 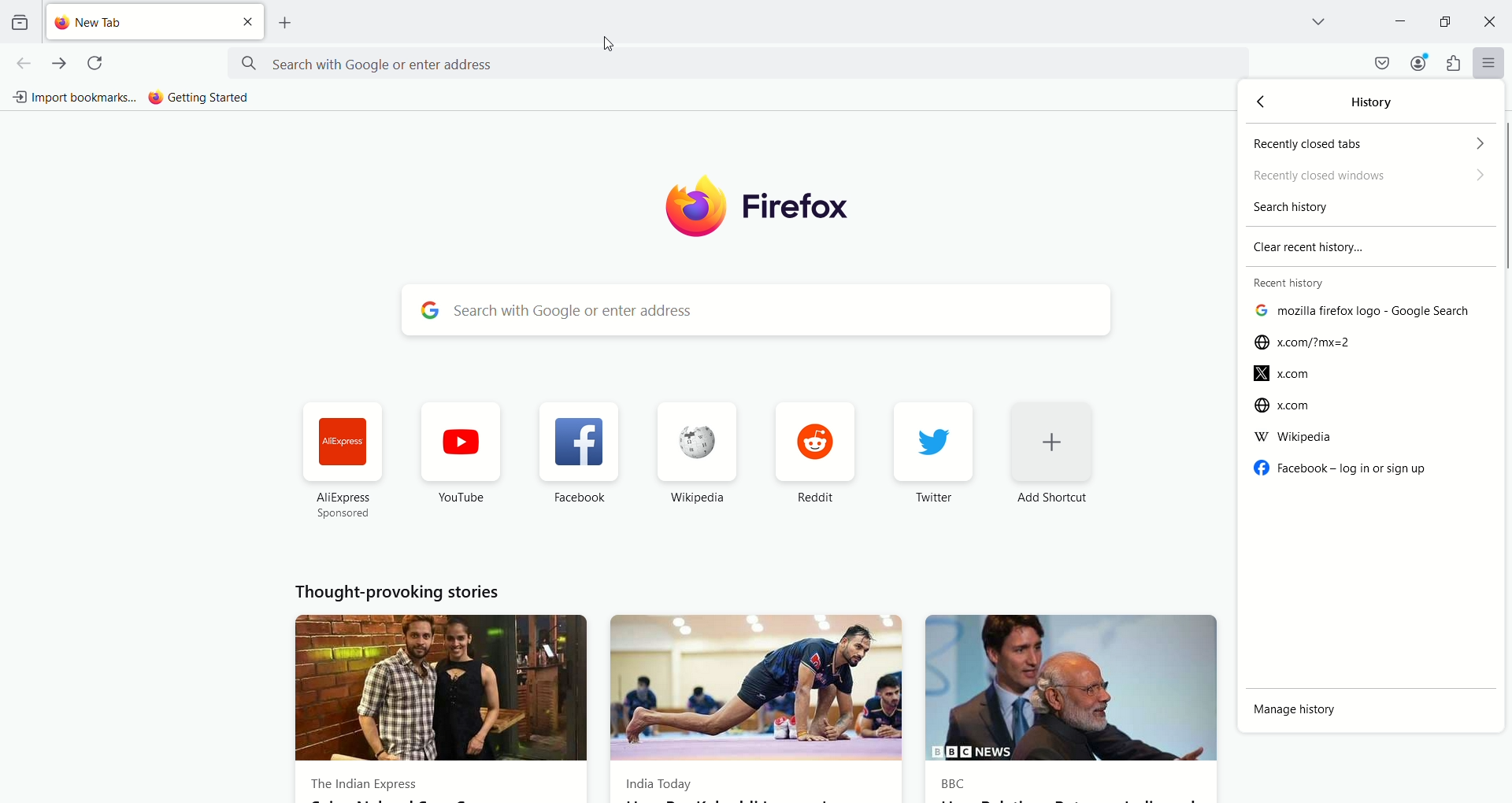 I want to click on manage history, so click(x=1371, y=709).